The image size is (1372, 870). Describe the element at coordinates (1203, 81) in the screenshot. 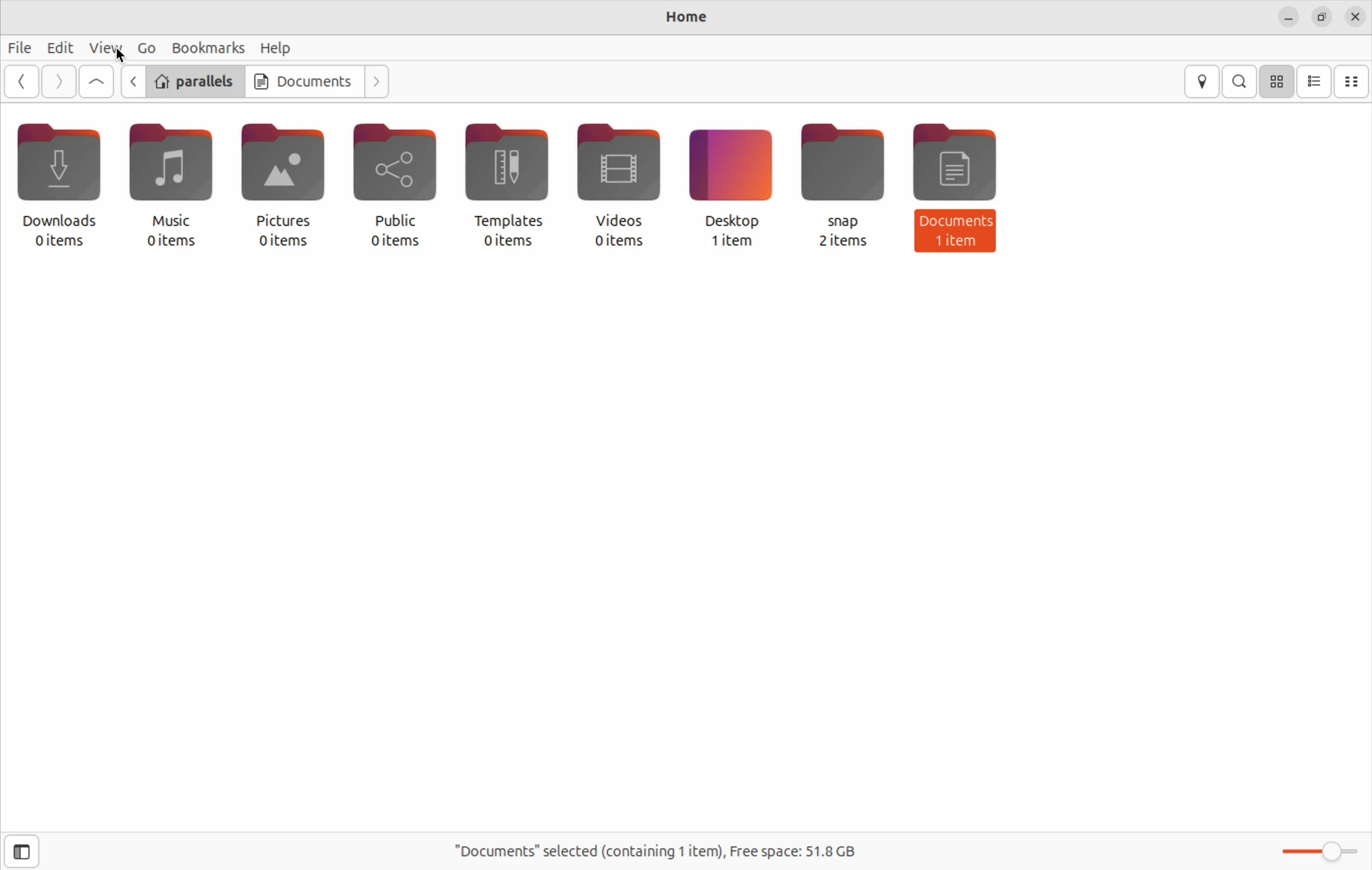

I see `location` at that location.